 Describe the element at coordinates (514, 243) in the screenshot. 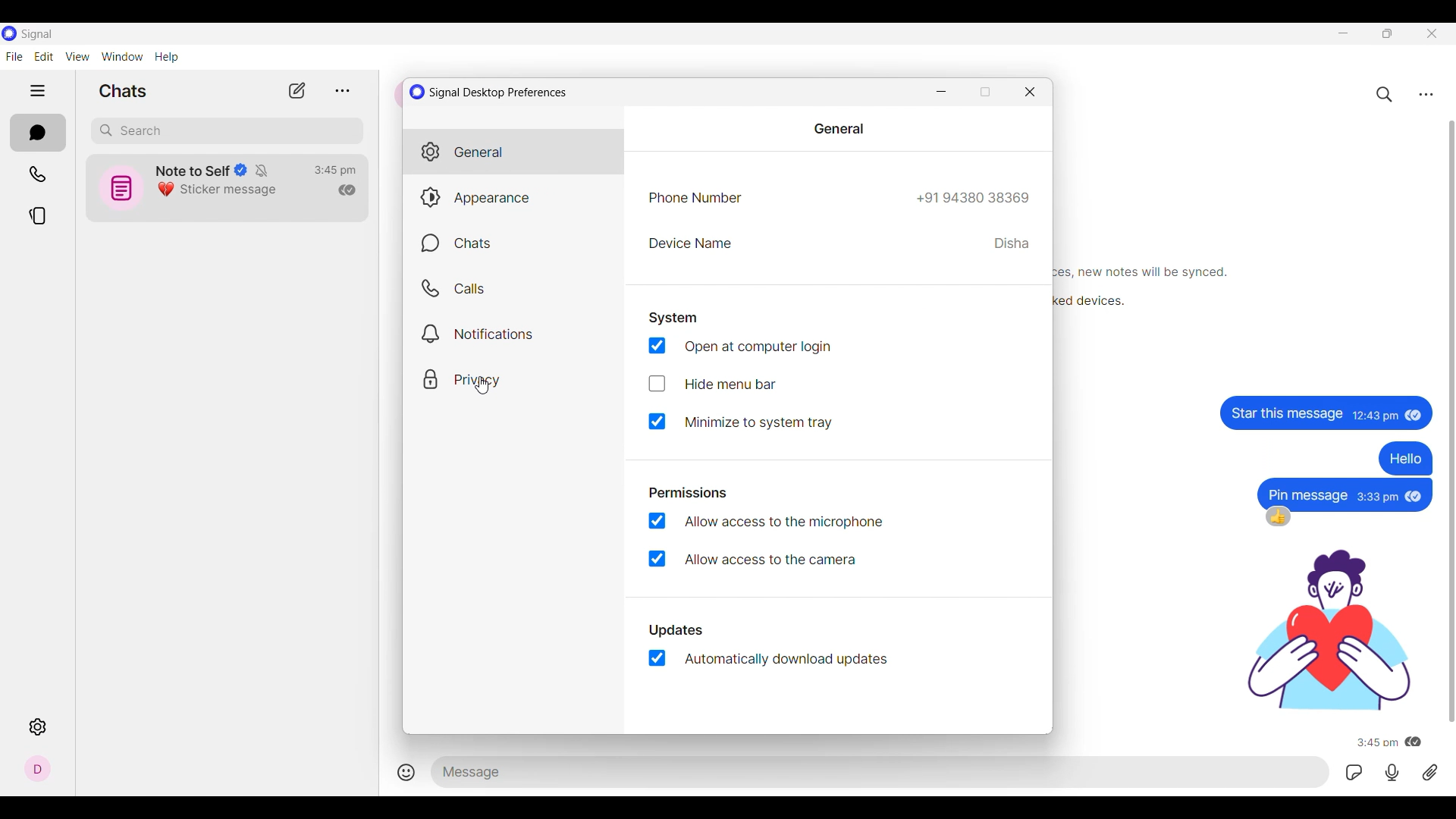

I see `Chats settings` at that location.